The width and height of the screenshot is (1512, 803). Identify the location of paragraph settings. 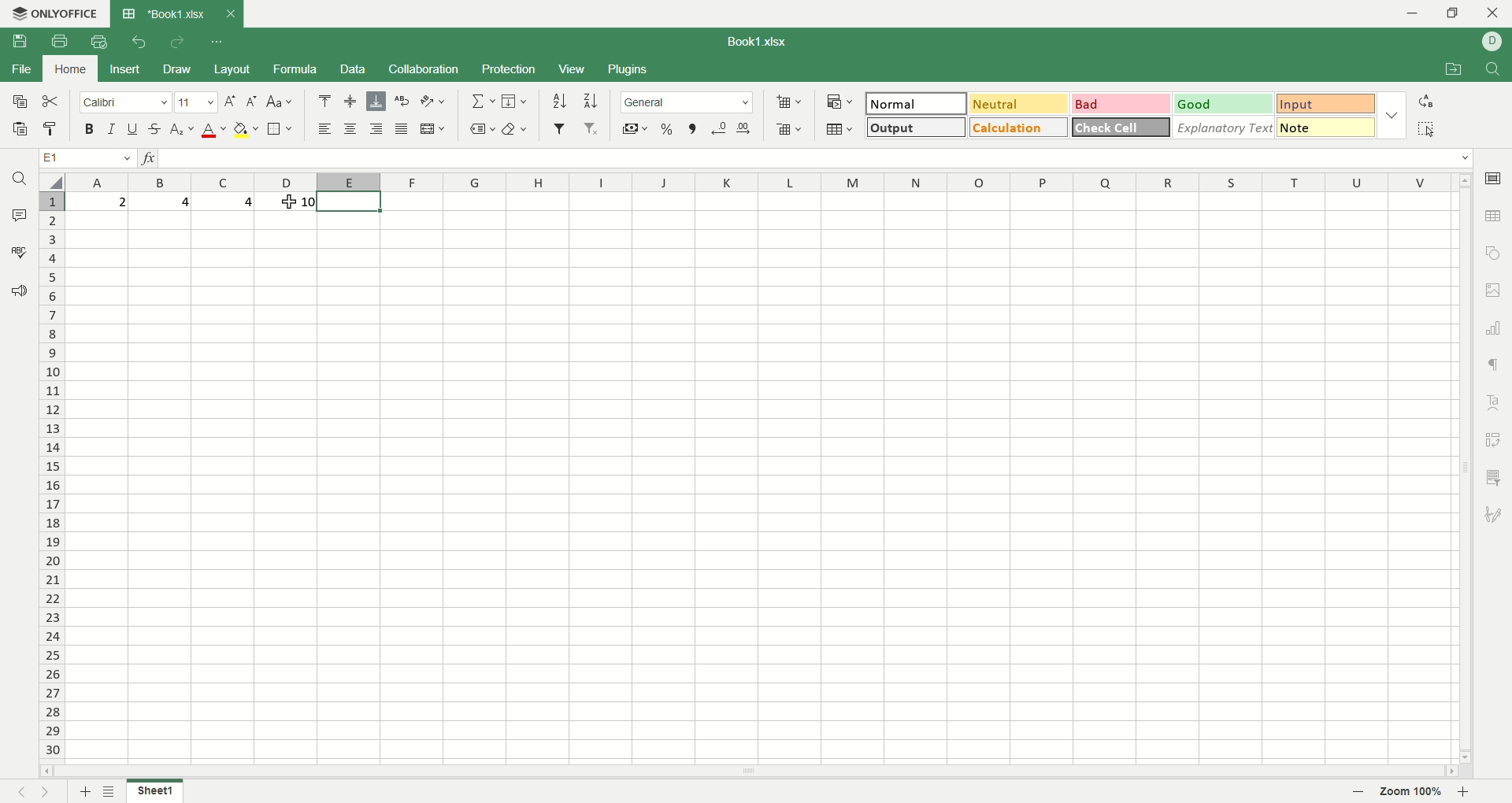
(1494, 367).